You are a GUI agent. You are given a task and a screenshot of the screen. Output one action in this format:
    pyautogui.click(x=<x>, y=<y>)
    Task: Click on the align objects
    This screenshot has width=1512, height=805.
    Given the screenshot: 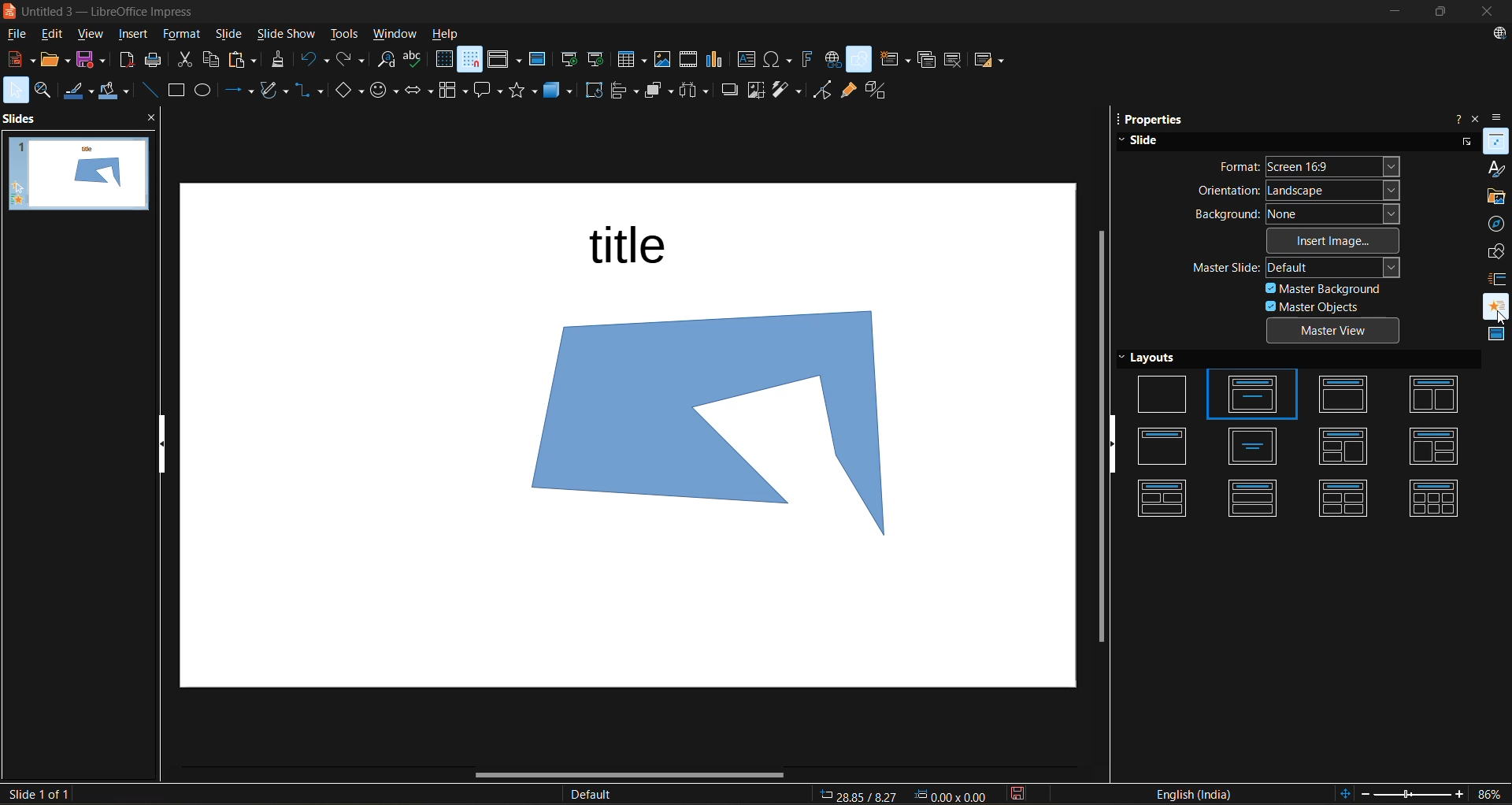 What is the action you would take?
    pyautogui.click(x=623, y=91)
    